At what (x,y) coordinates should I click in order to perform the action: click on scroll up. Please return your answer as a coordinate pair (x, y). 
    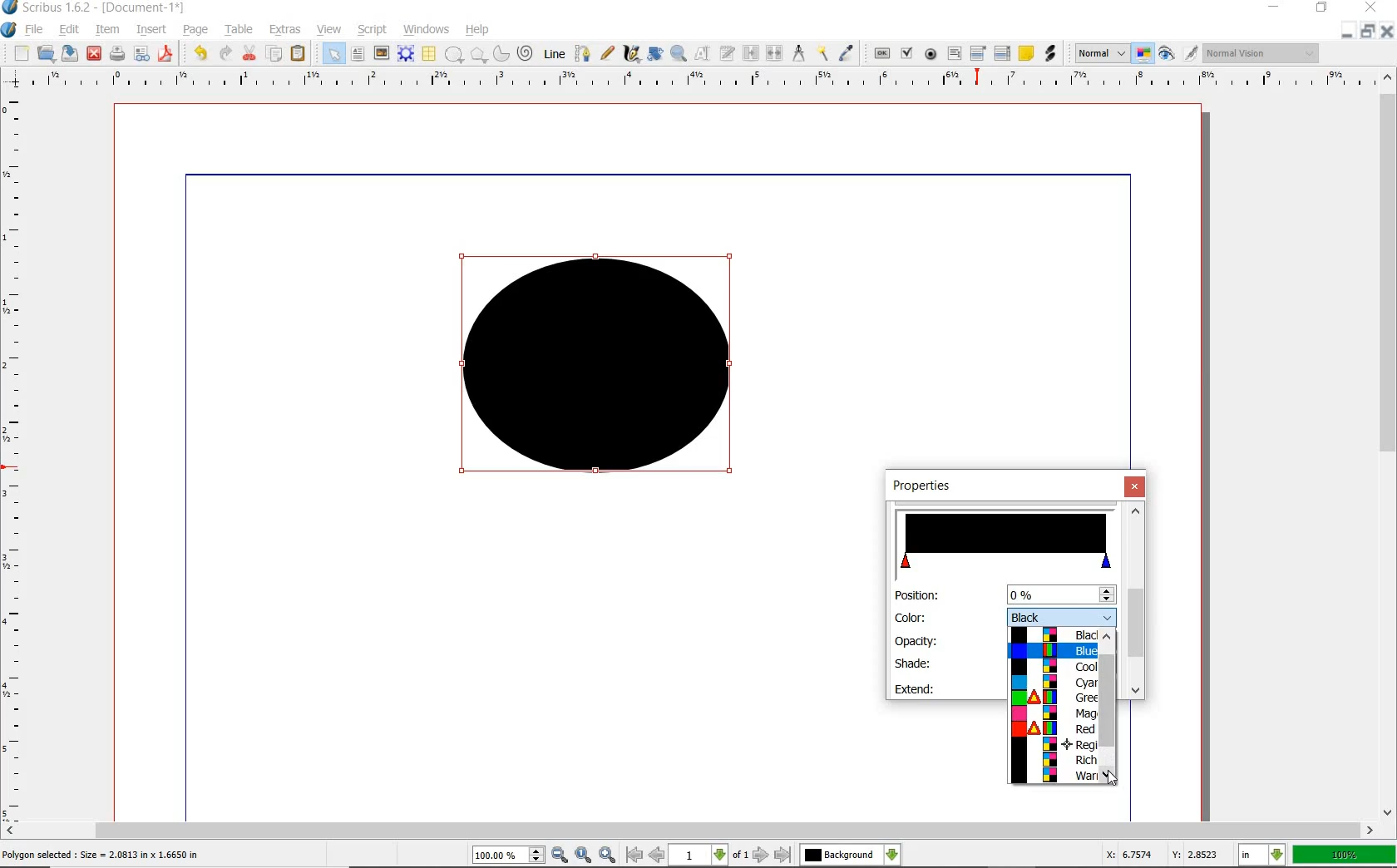
    Looking at the image, I should click on (1136, 510).